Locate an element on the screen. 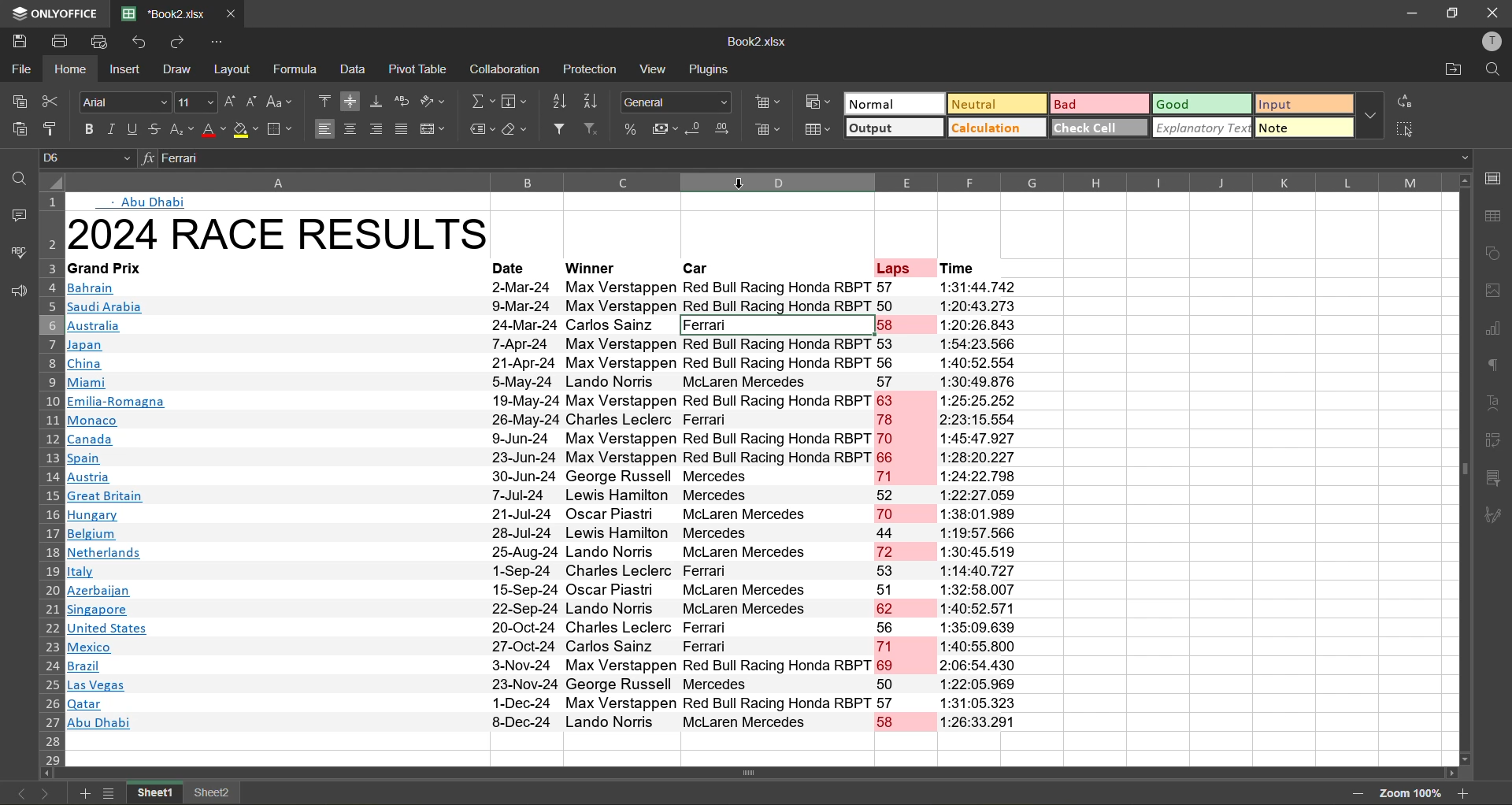  Canada 9.Jun-24 Max Verstappen Red Bull Racing Honda RBPT 70 1:45:47 .927 is located at coordinates (540, 439).